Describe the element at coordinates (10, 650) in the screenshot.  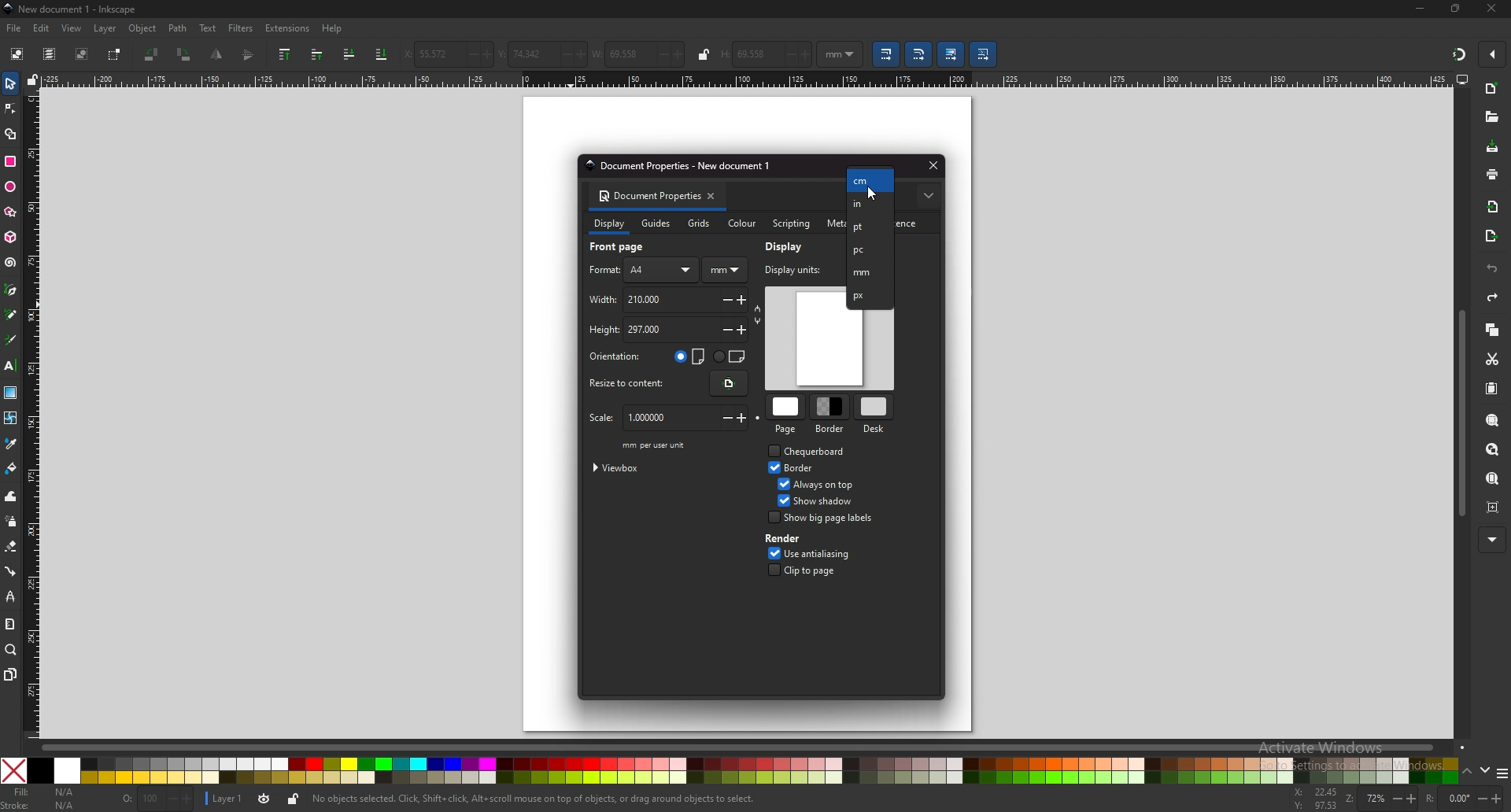
I see `zoom` at that location.